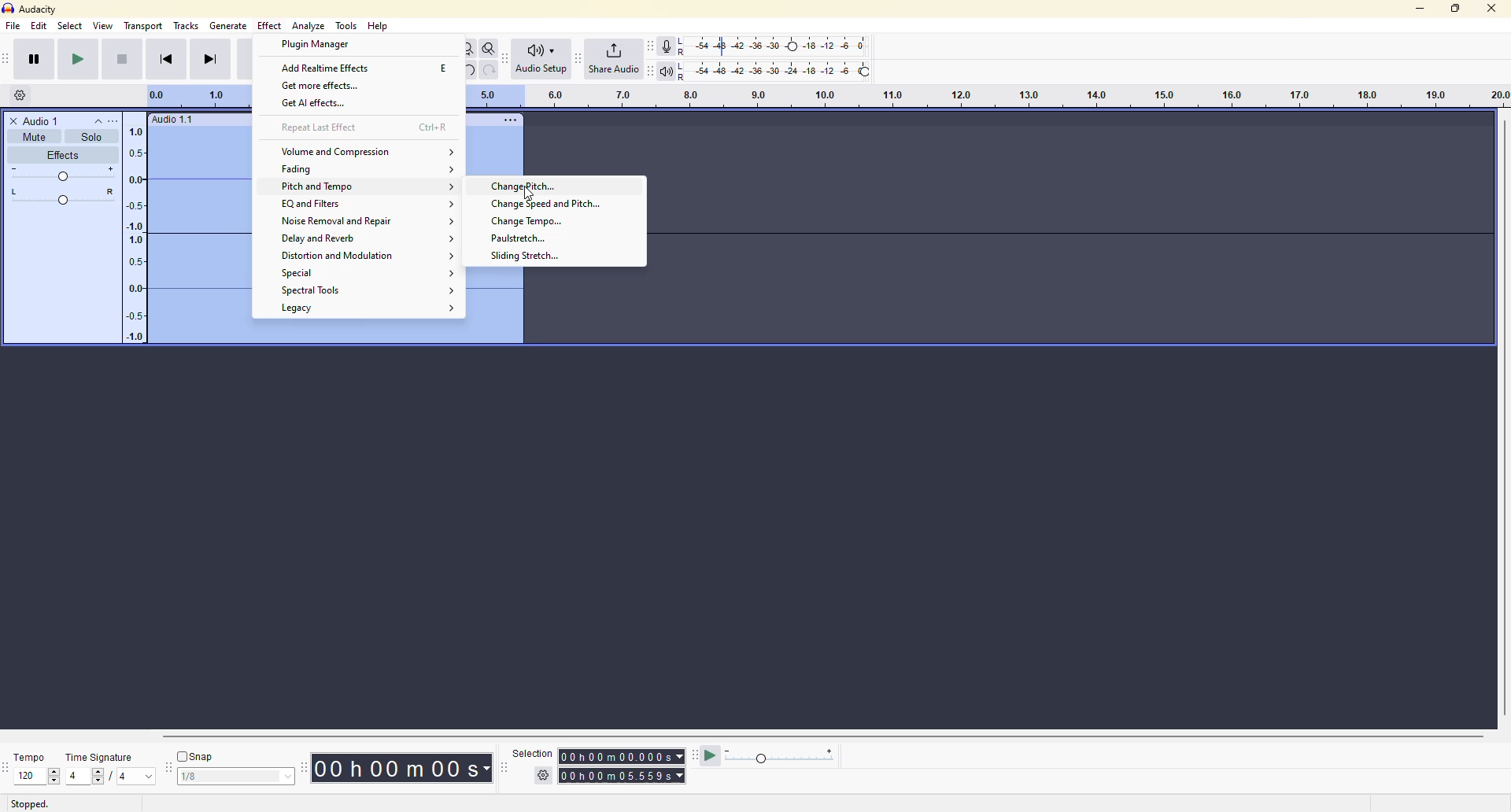 The width and height of the screenshot is (1511, 812). What do you see at coordinates (33, 756) in the screenshot?
I see `tempo` at bounding box center [33, 756].